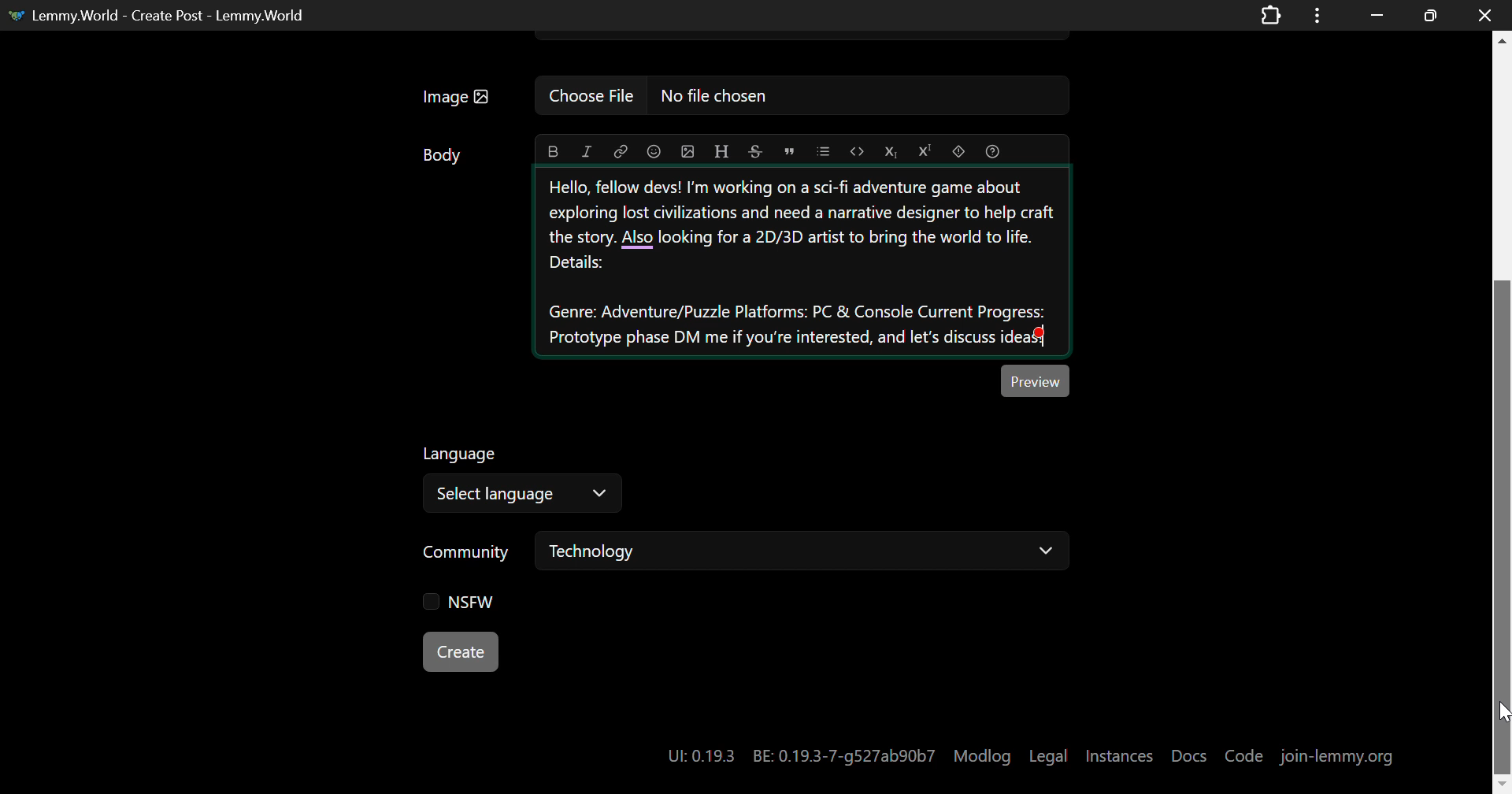  I want to click on Application Menu, so click(1319, 15).